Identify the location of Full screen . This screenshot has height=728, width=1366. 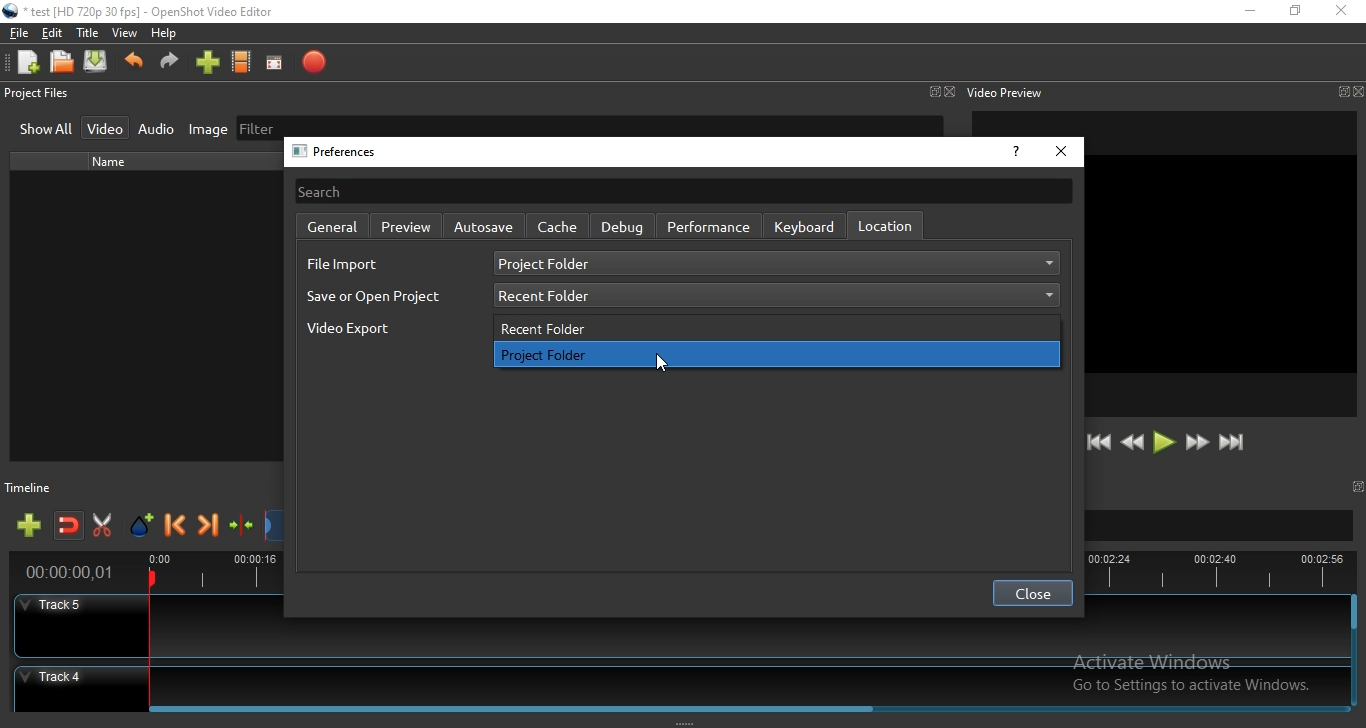
(278, 63).